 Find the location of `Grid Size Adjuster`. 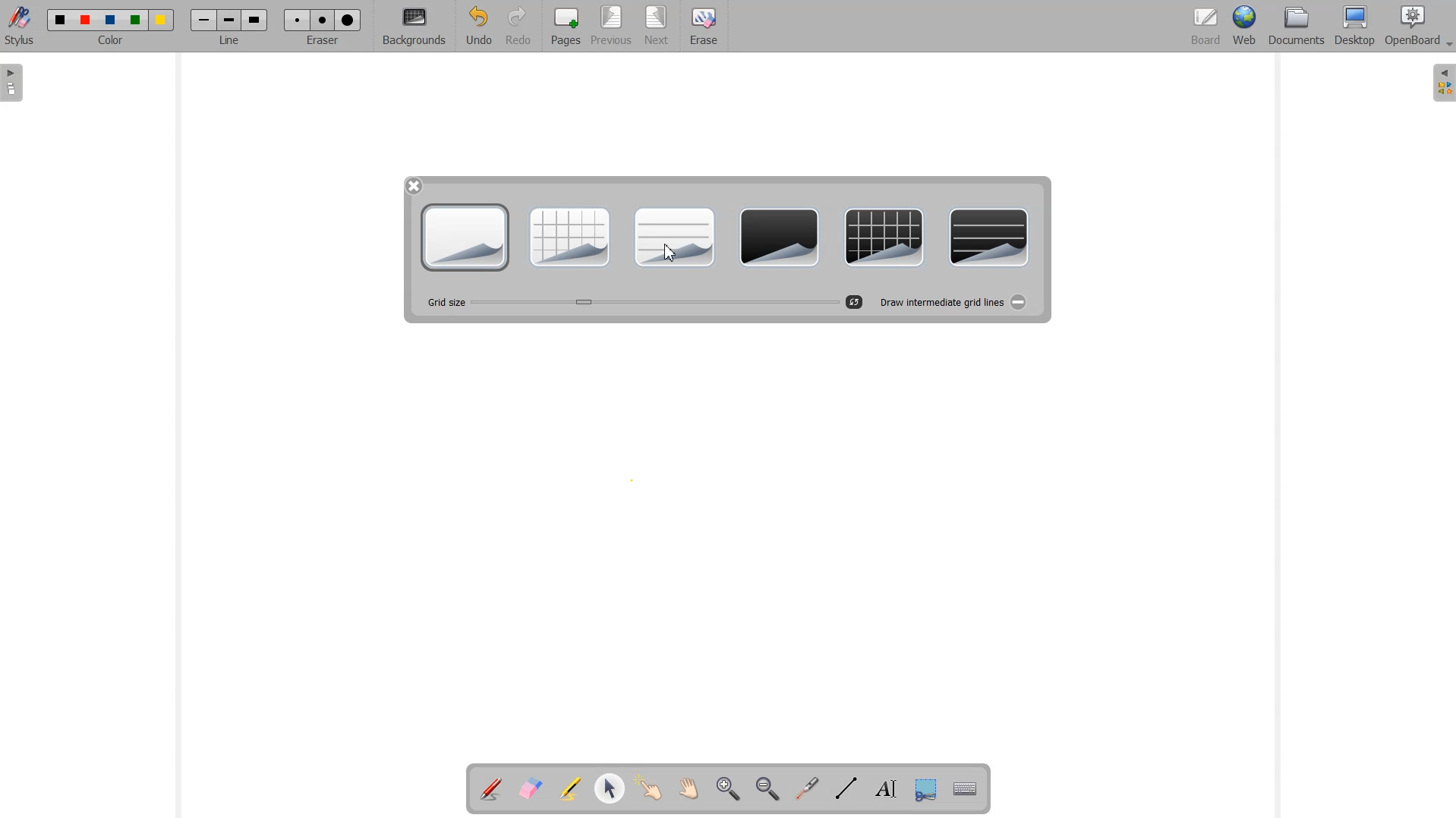

Grid Size Adjuster is located at coordinates (632, 304).